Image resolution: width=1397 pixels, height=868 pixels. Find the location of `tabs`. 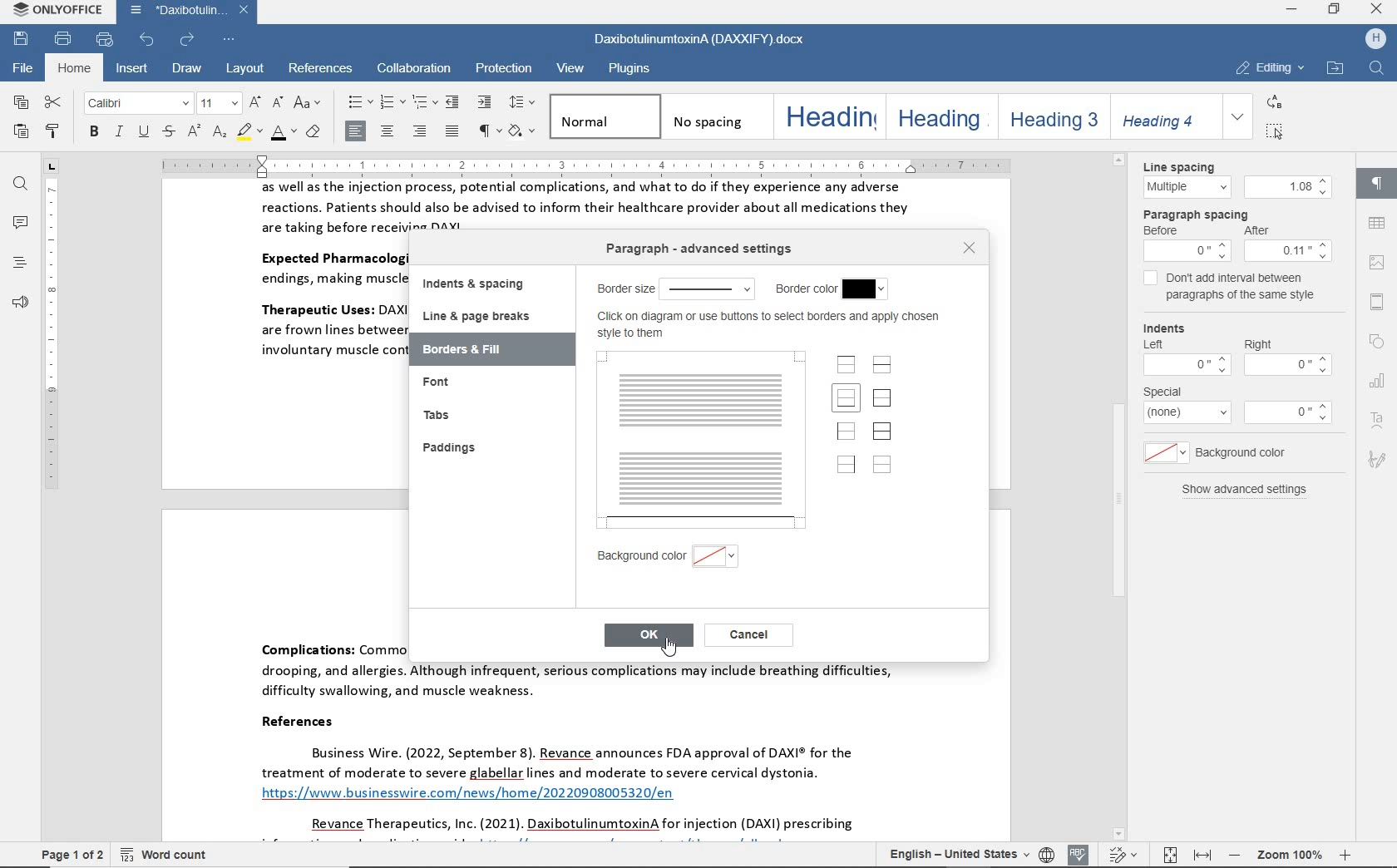

tabs is located at coordinates (438, 413).